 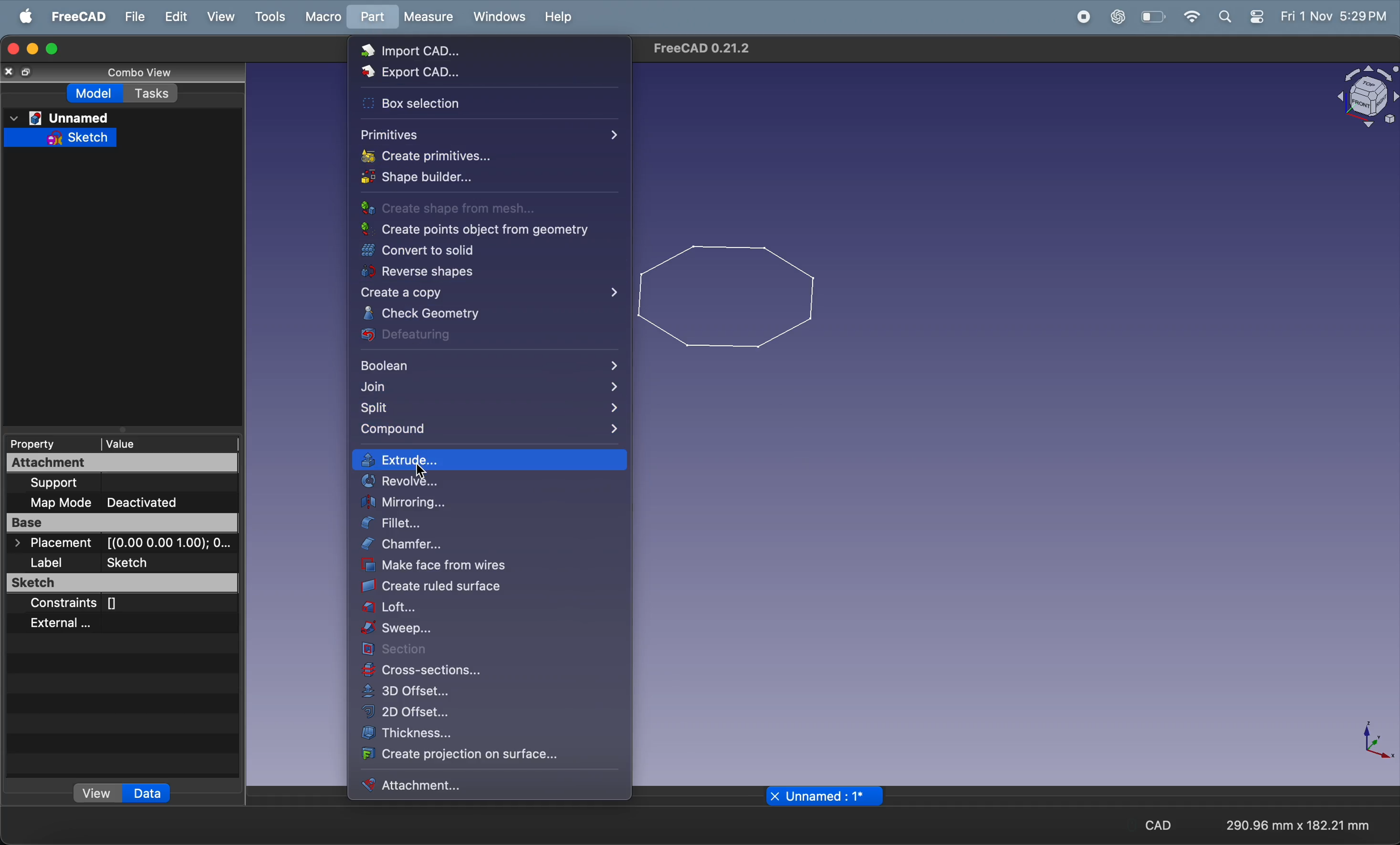 I want to click on free CAD, so click(x=74, y=16).